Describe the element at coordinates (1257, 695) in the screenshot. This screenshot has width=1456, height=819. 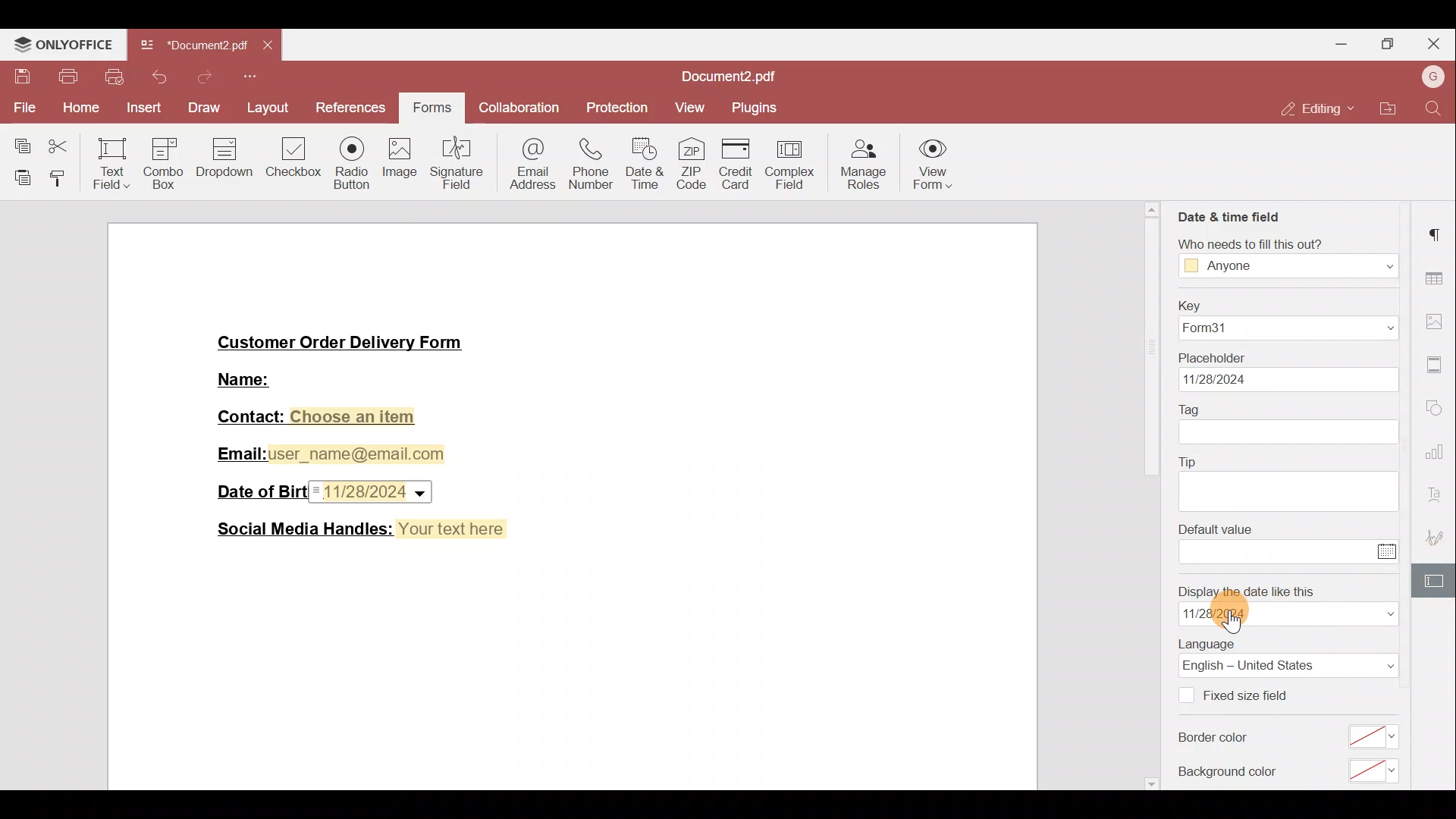
I see `Fixed size field` at that location.